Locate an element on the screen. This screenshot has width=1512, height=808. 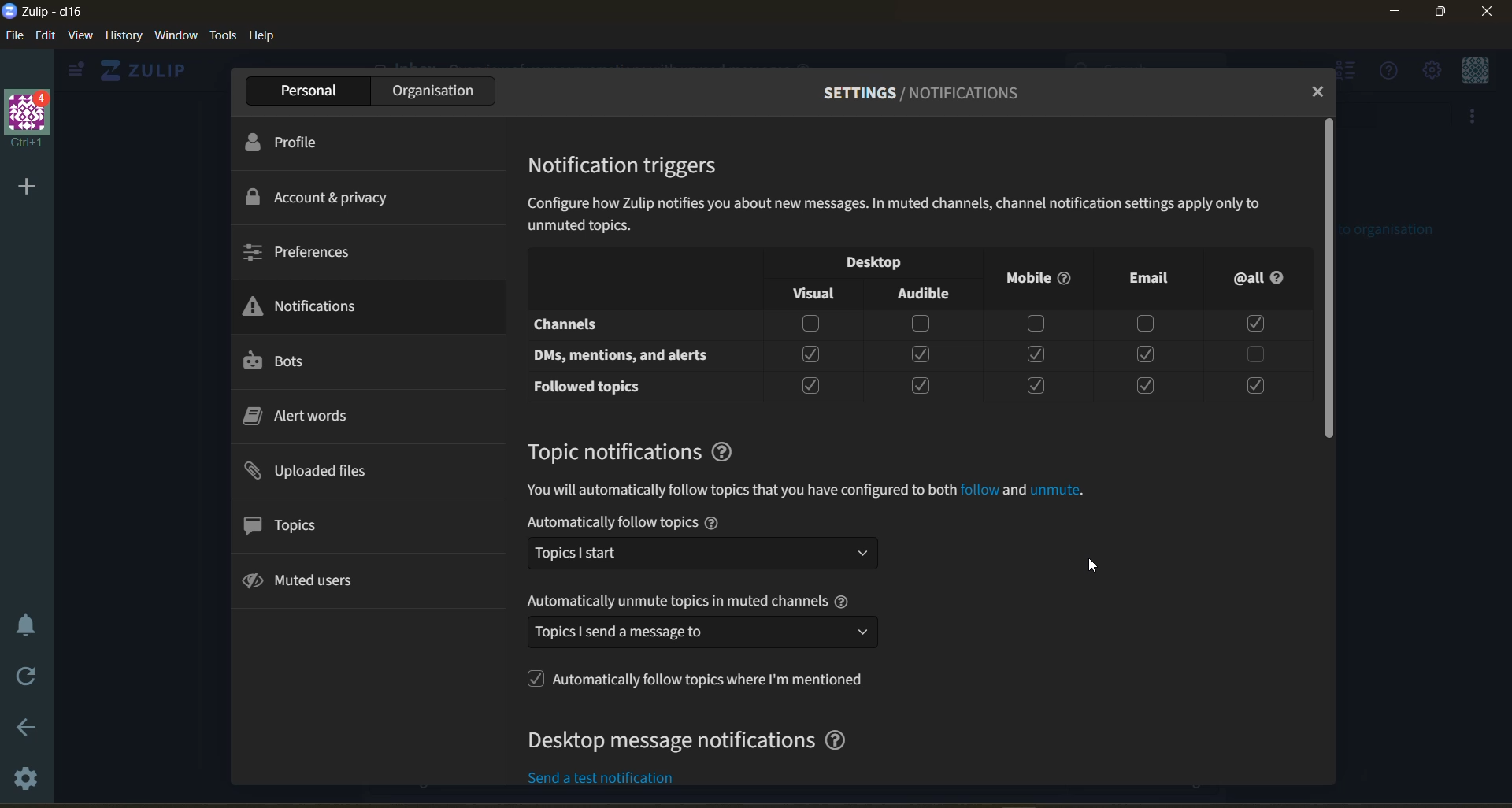
information is located at coordinates (817, 491).